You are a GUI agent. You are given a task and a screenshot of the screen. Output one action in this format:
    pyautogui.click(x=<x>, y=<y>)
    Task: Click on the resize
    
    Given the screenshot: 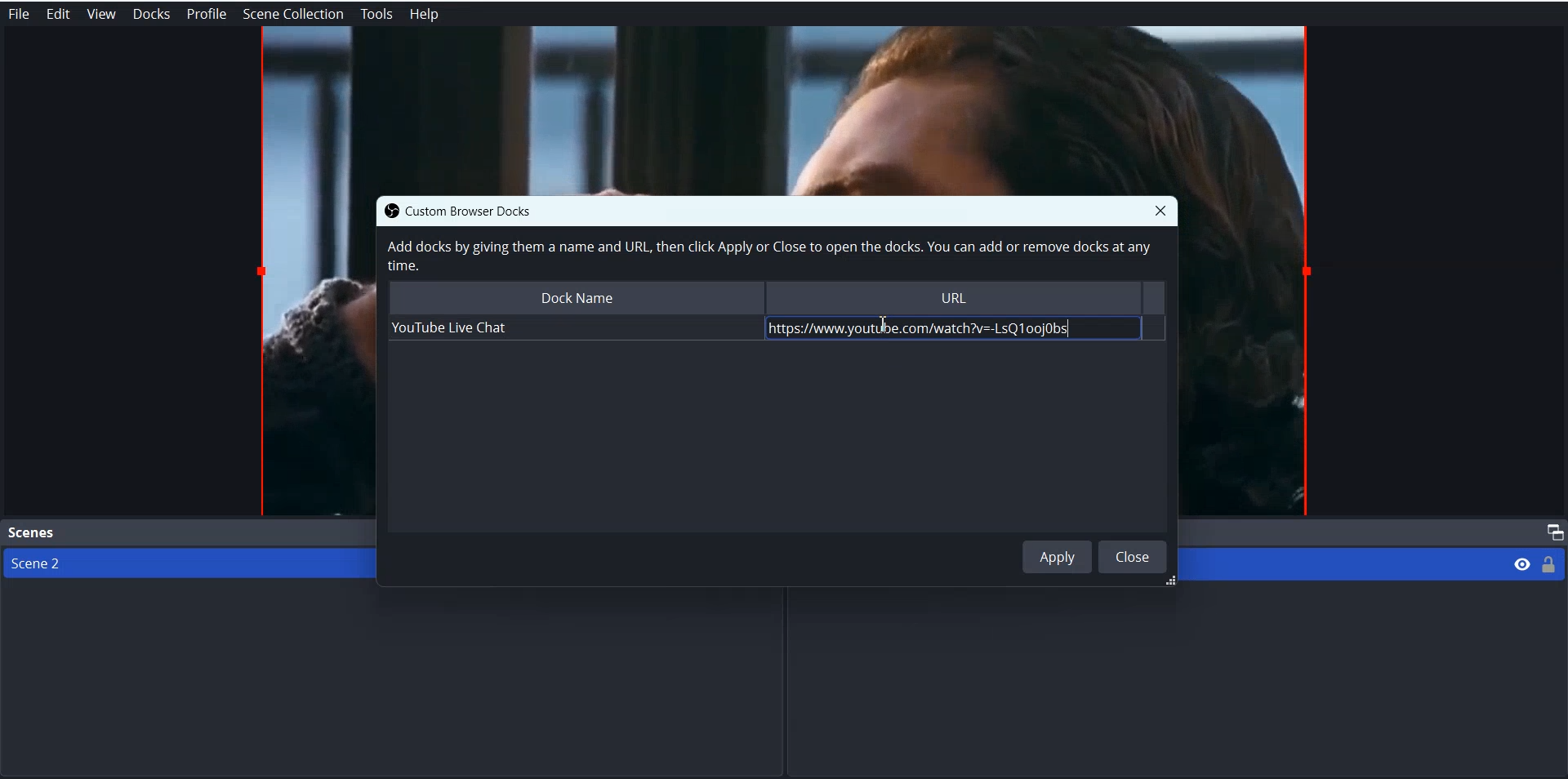 What is the action you would take?
    pyautogui.click(x=1167, y=582)
    